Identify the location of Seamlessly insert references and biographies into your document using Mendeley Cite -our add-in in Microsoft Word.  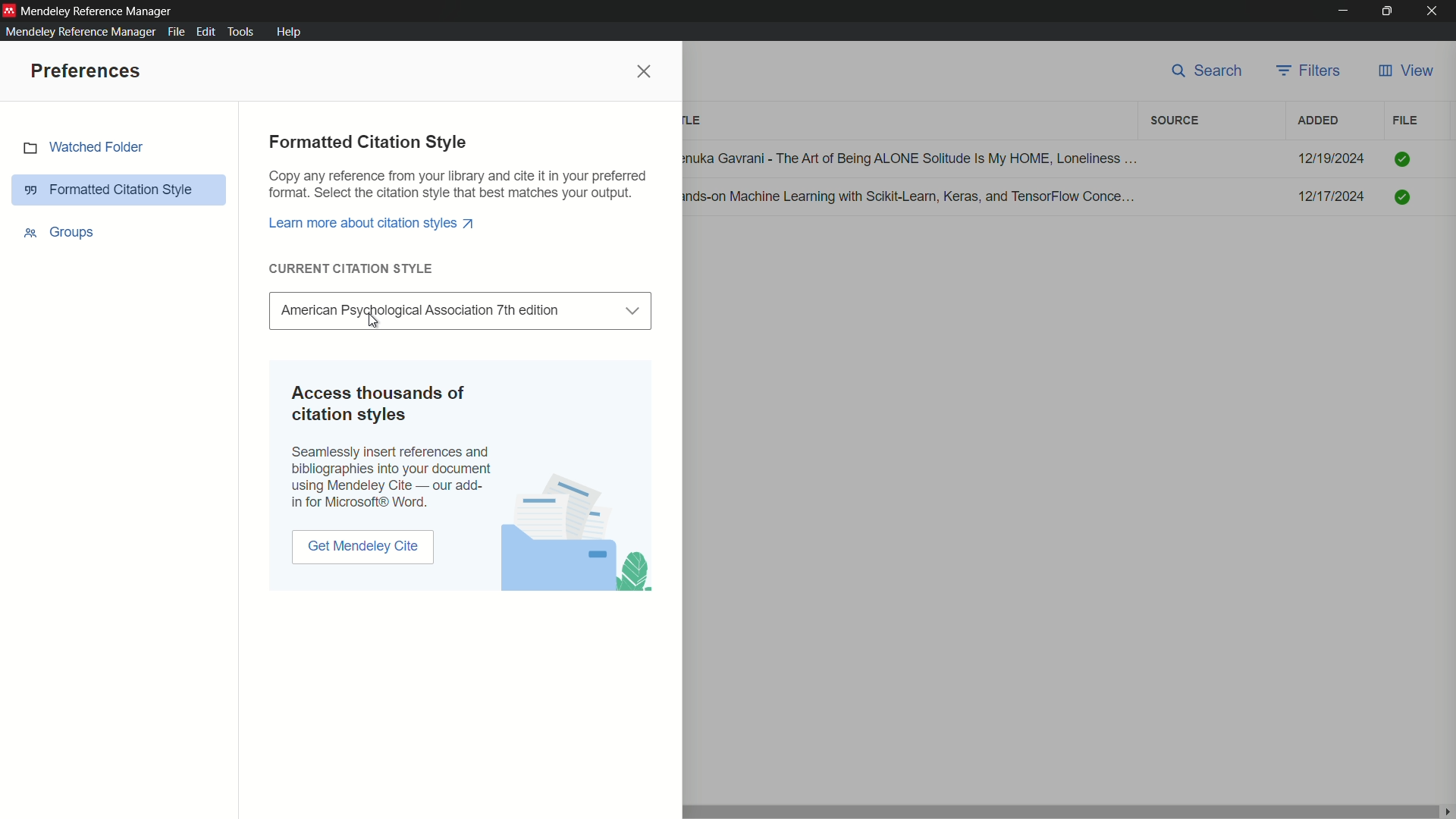
(392, 479).